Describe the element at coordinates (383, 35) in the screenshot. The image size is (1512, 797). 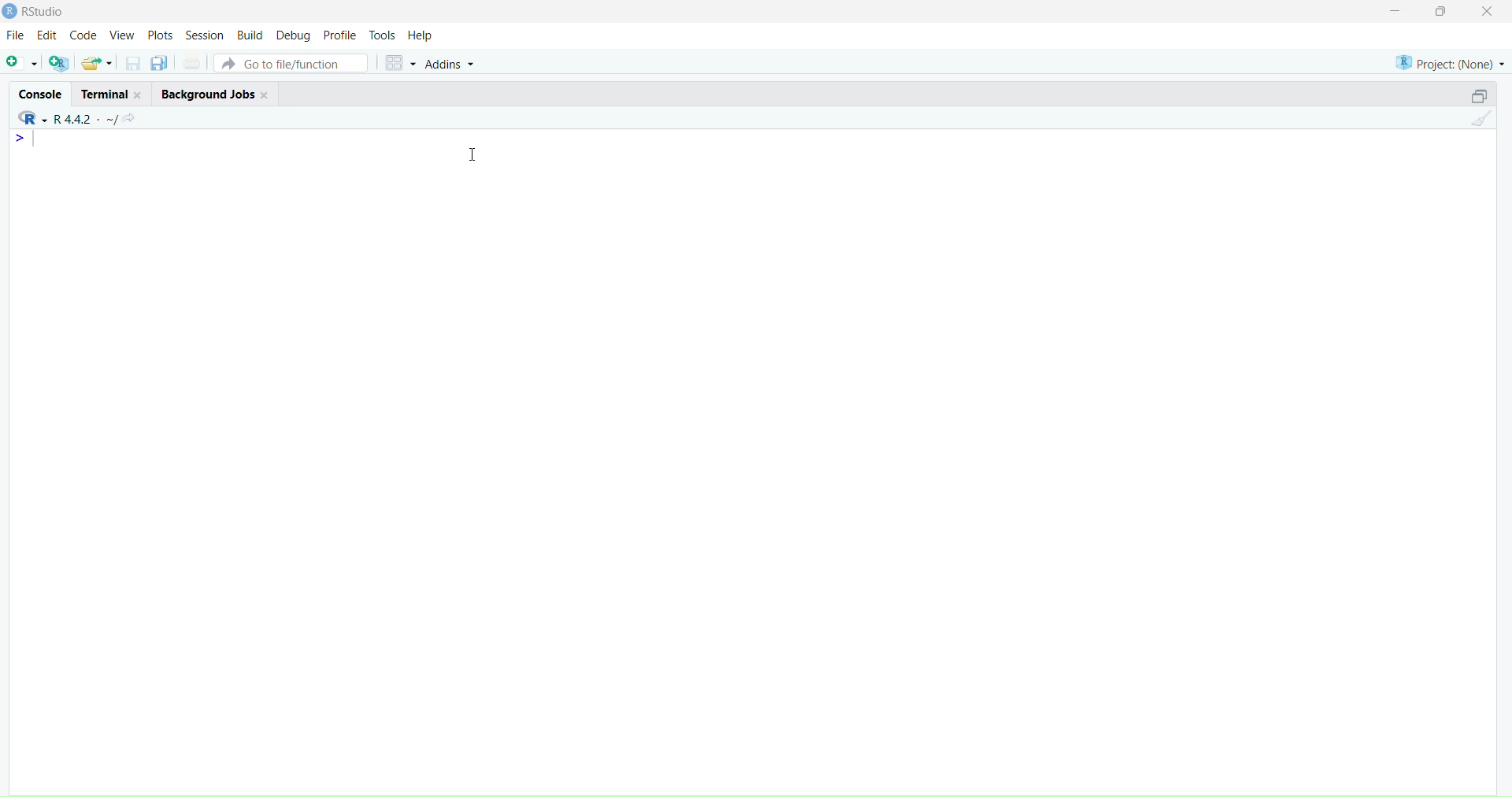
I see `tools` at that location.